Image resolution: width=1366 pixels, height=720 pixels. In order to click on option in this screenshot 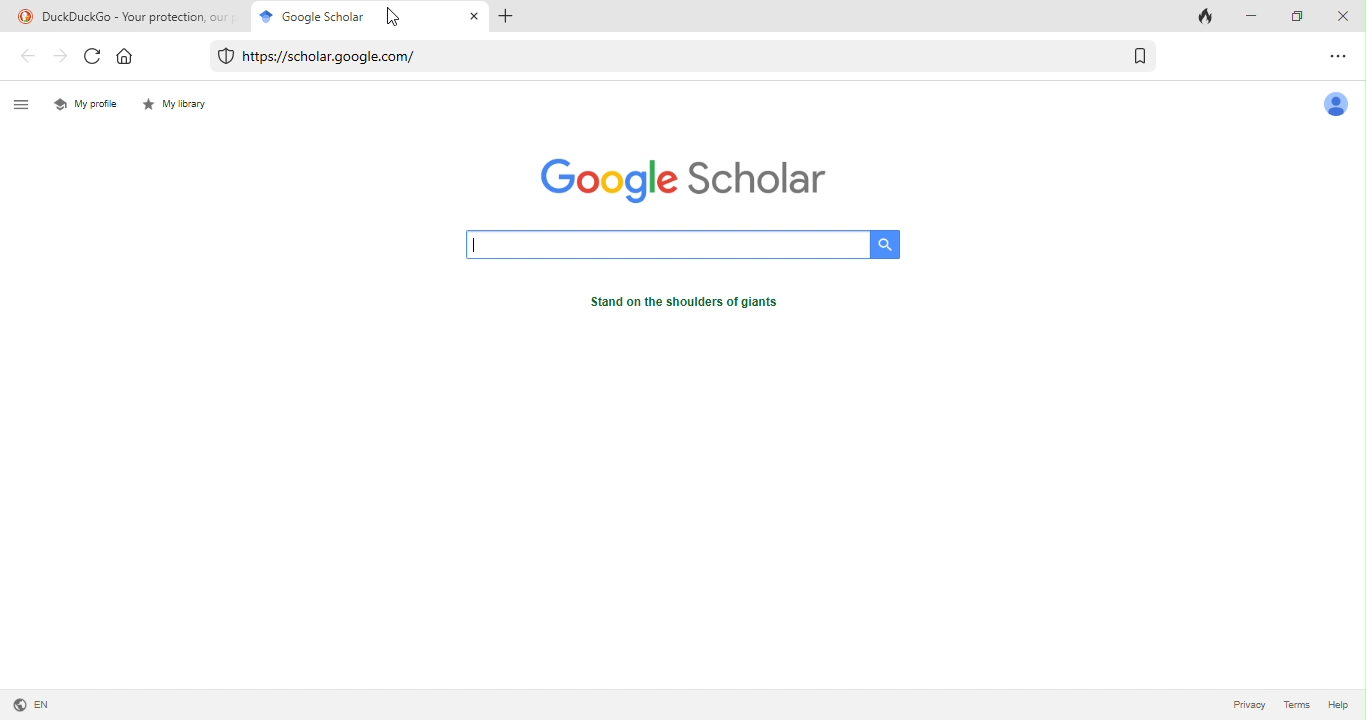, I will do `click(1343, 57)`.